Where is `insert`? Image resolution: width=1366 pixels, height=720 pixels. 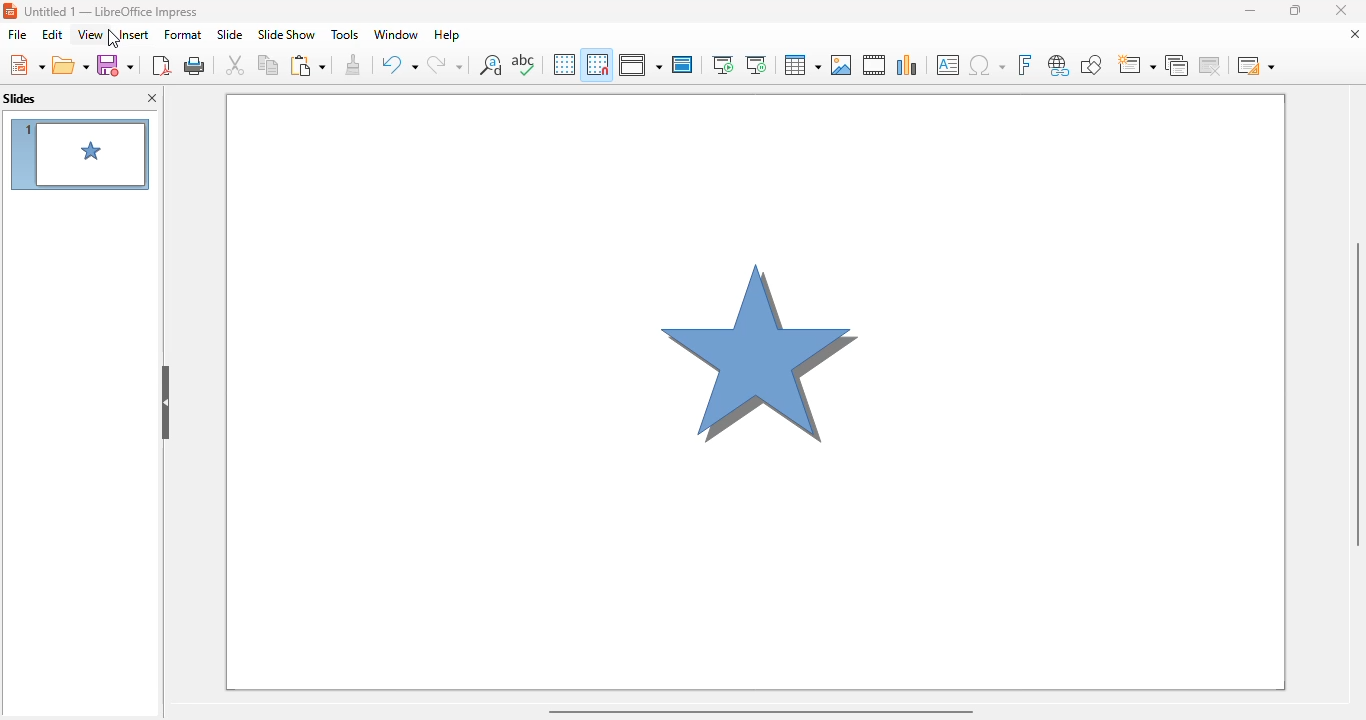
insert is located at coordinates (131, 34).